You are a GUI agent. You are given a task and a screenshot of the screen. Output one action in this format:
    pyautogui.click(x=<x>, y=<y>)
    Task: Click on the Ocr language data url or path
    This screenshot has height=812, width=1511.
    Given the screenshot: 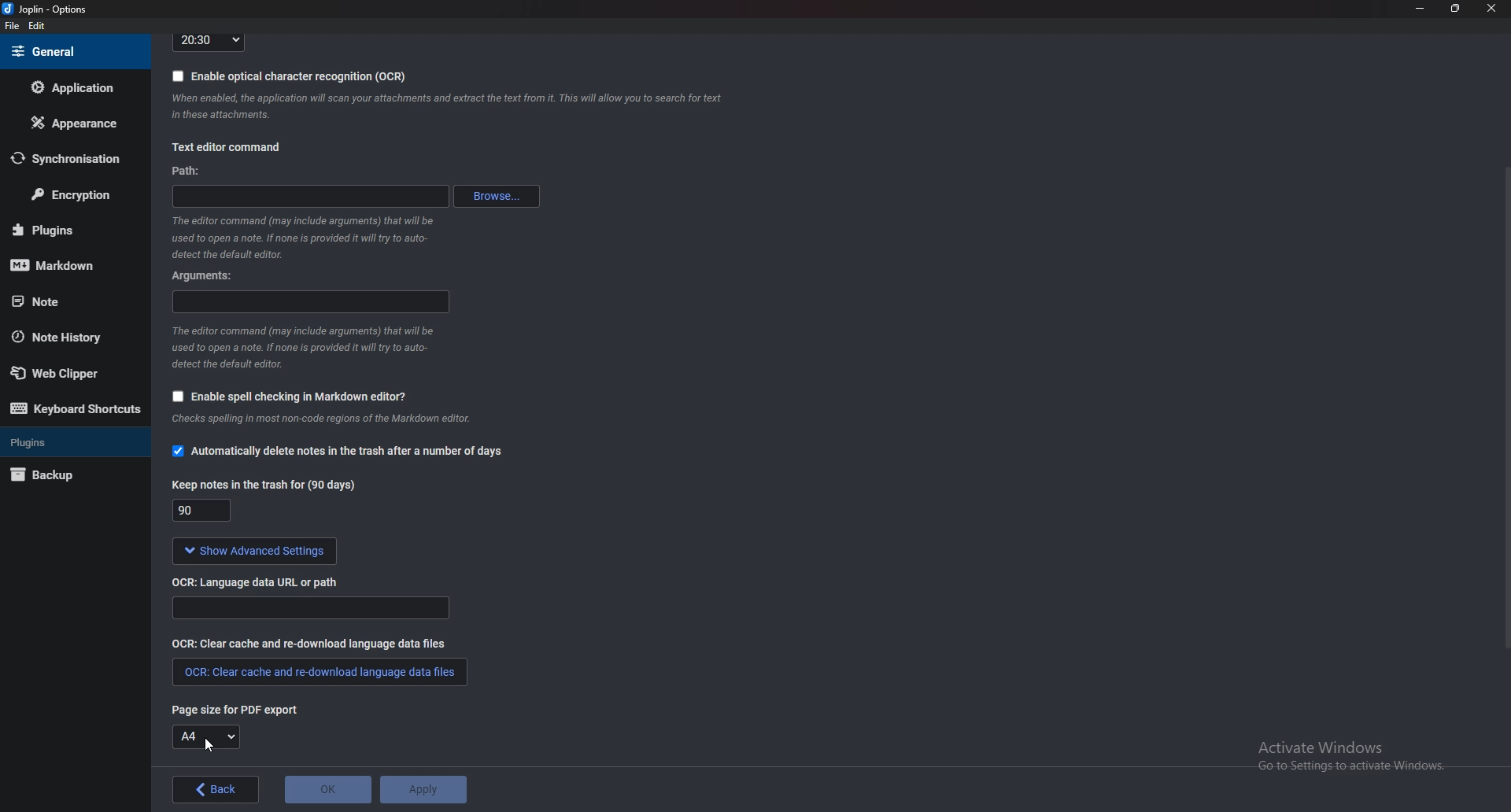 What is the action you would take?
    pyautogui.click(x=310, y=608)
    